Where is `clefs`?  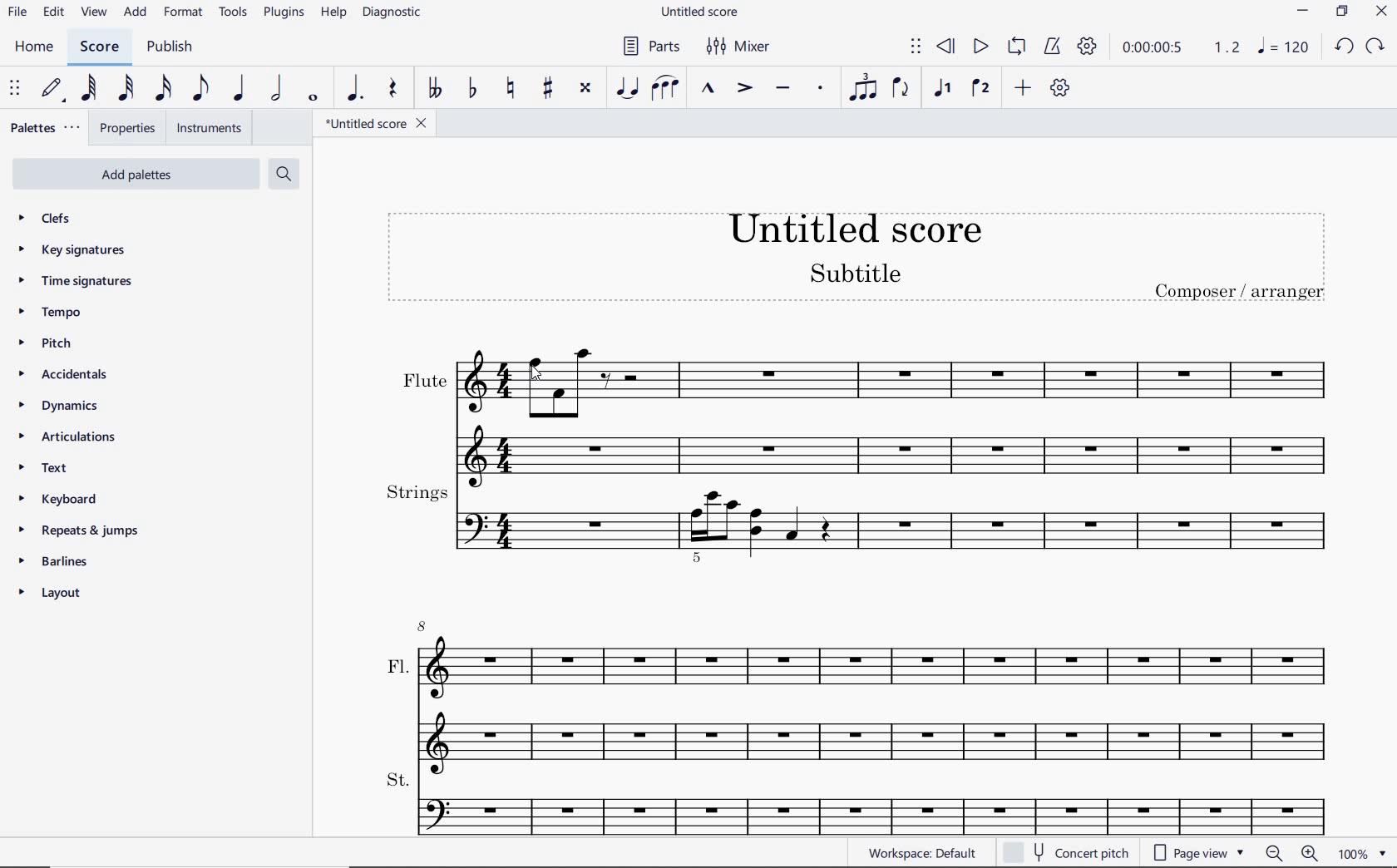
clefs is located at coordinates (47, 219).